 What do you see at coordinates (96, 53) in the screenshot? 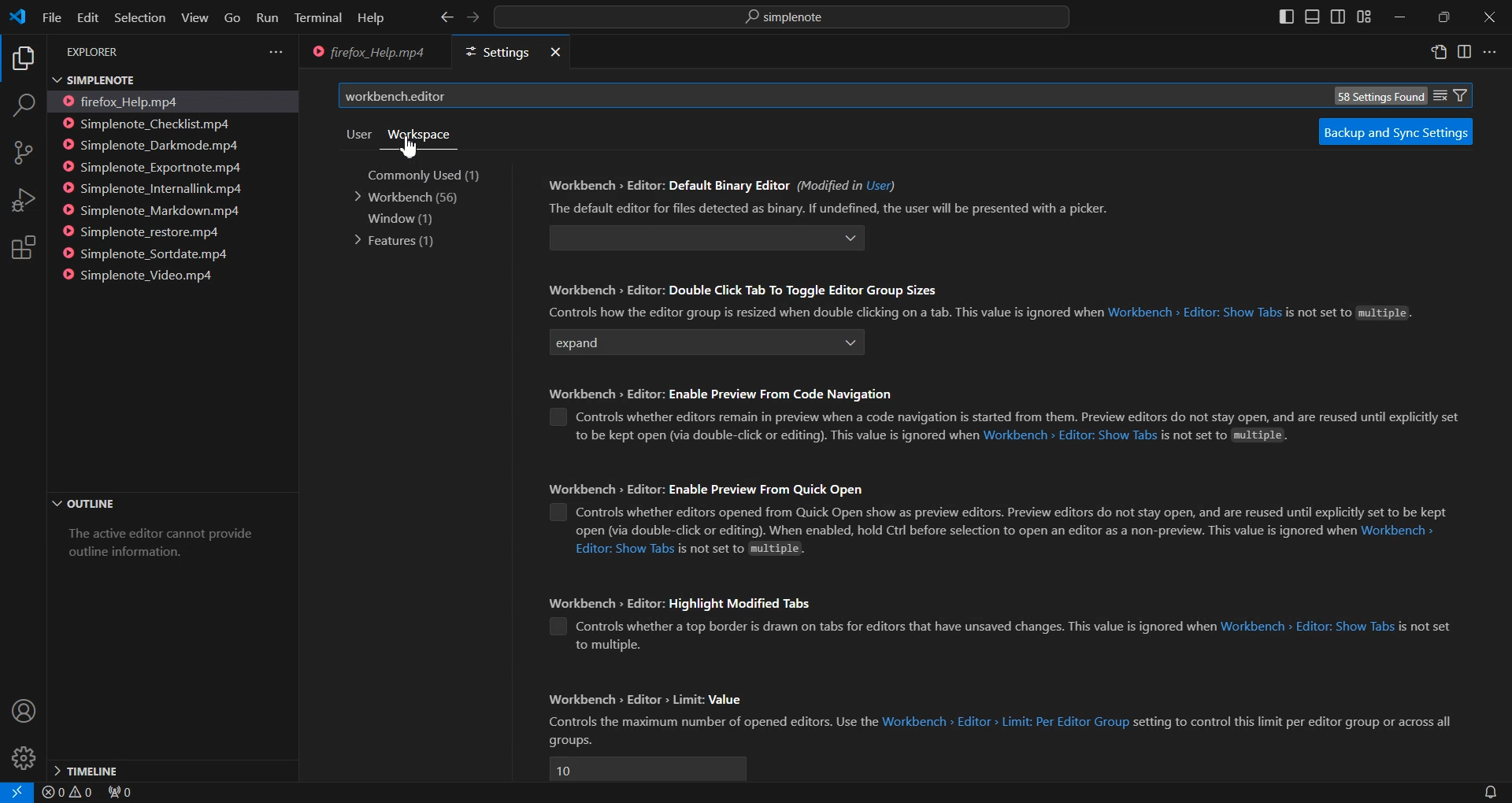
I see `EXPLORER` at bounding box center [96, 53].